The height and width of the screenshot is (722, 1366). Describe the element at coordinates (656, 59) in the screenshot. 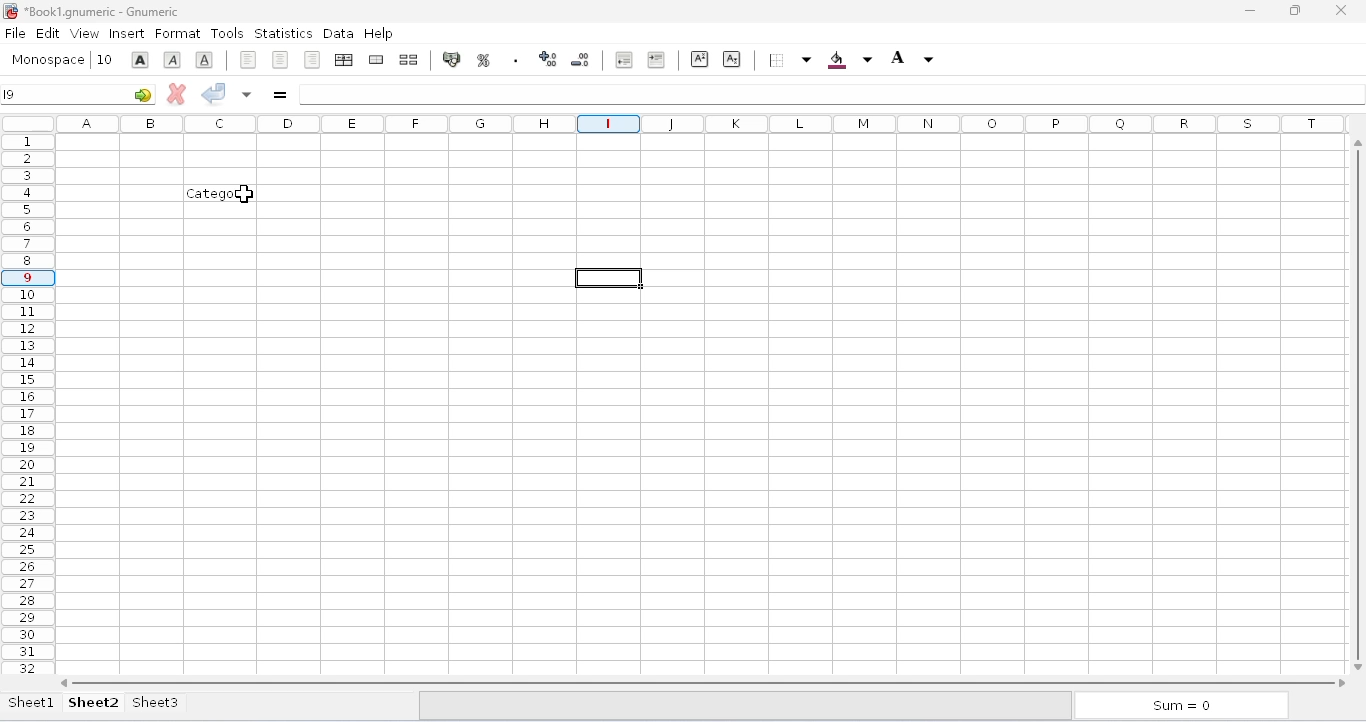

I see `increase the indent` at that location.